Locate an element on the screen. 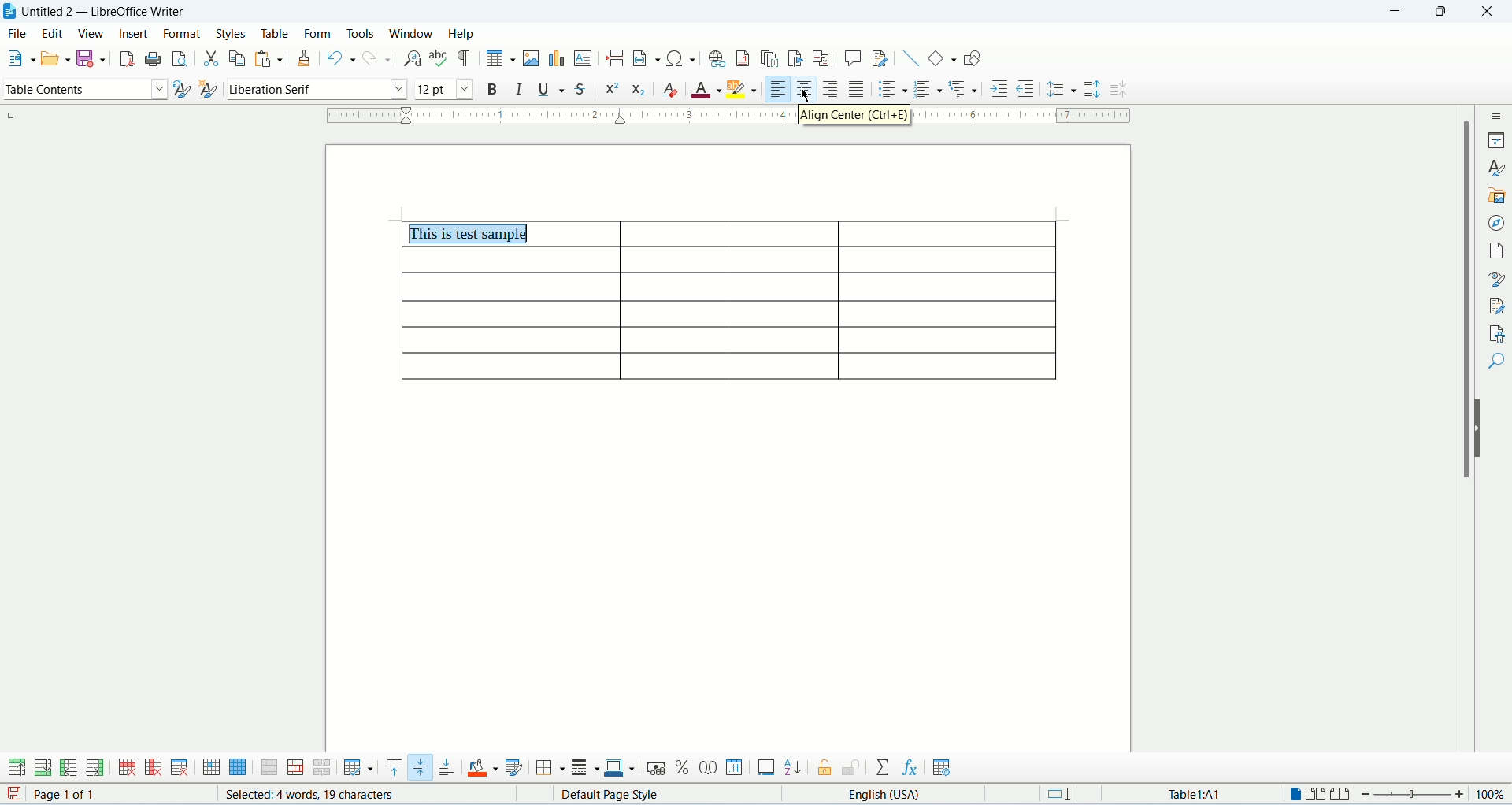 This screenshot has width=1512, height=805. help is located at coordinates (461, 34).